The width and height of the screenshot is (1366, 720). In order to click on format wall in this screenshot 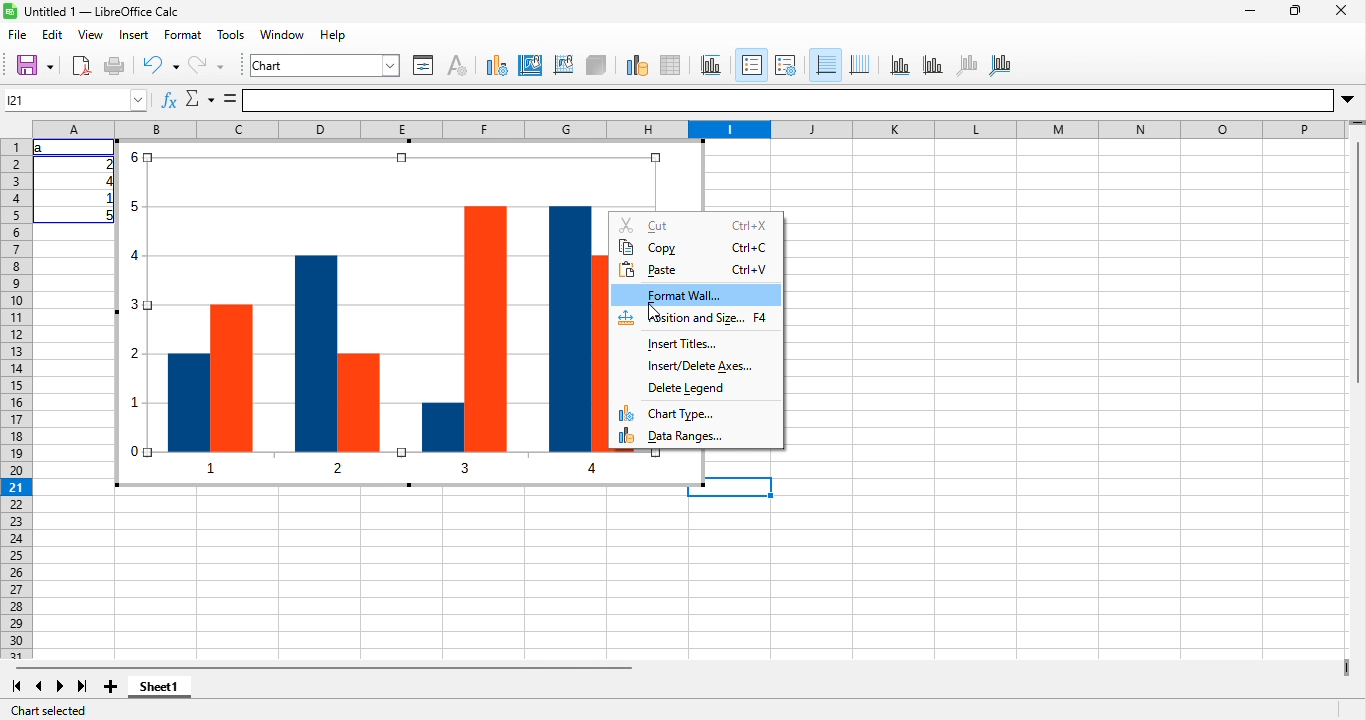, I will do `click(696, 295)`.